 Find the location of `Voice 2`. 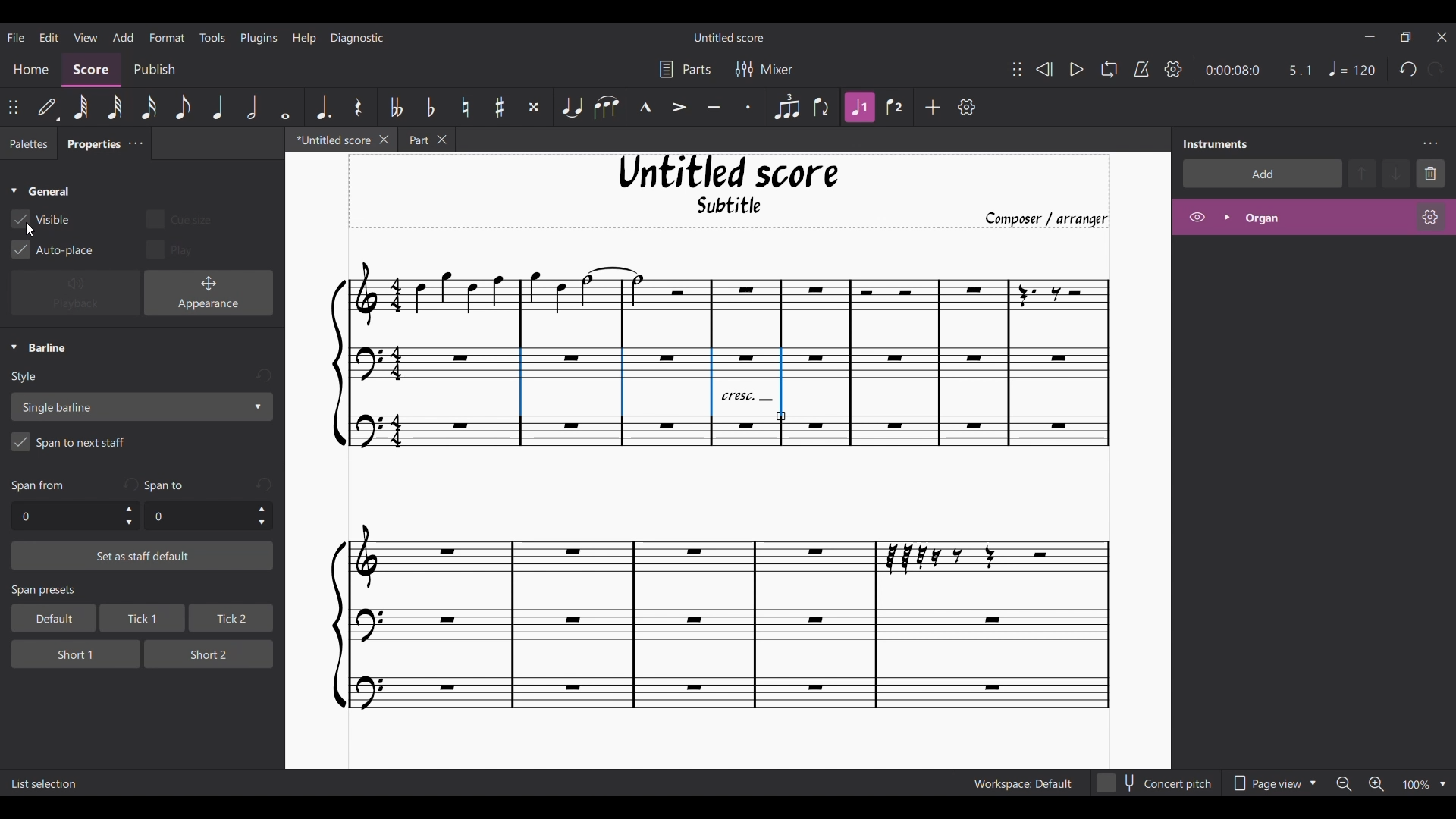

Voice 2 is located at coordinates (896, 107).